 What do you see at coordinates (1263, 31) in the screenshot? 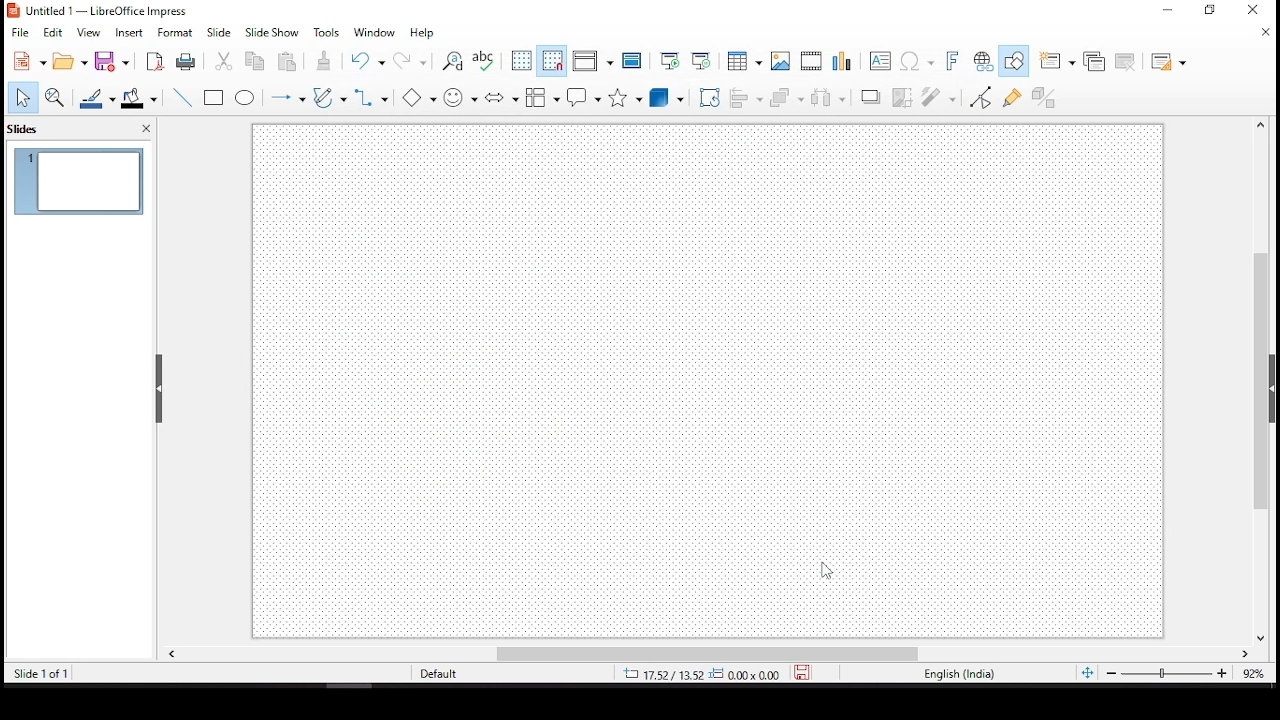
I see `close` at bounding box center [1263, 31].